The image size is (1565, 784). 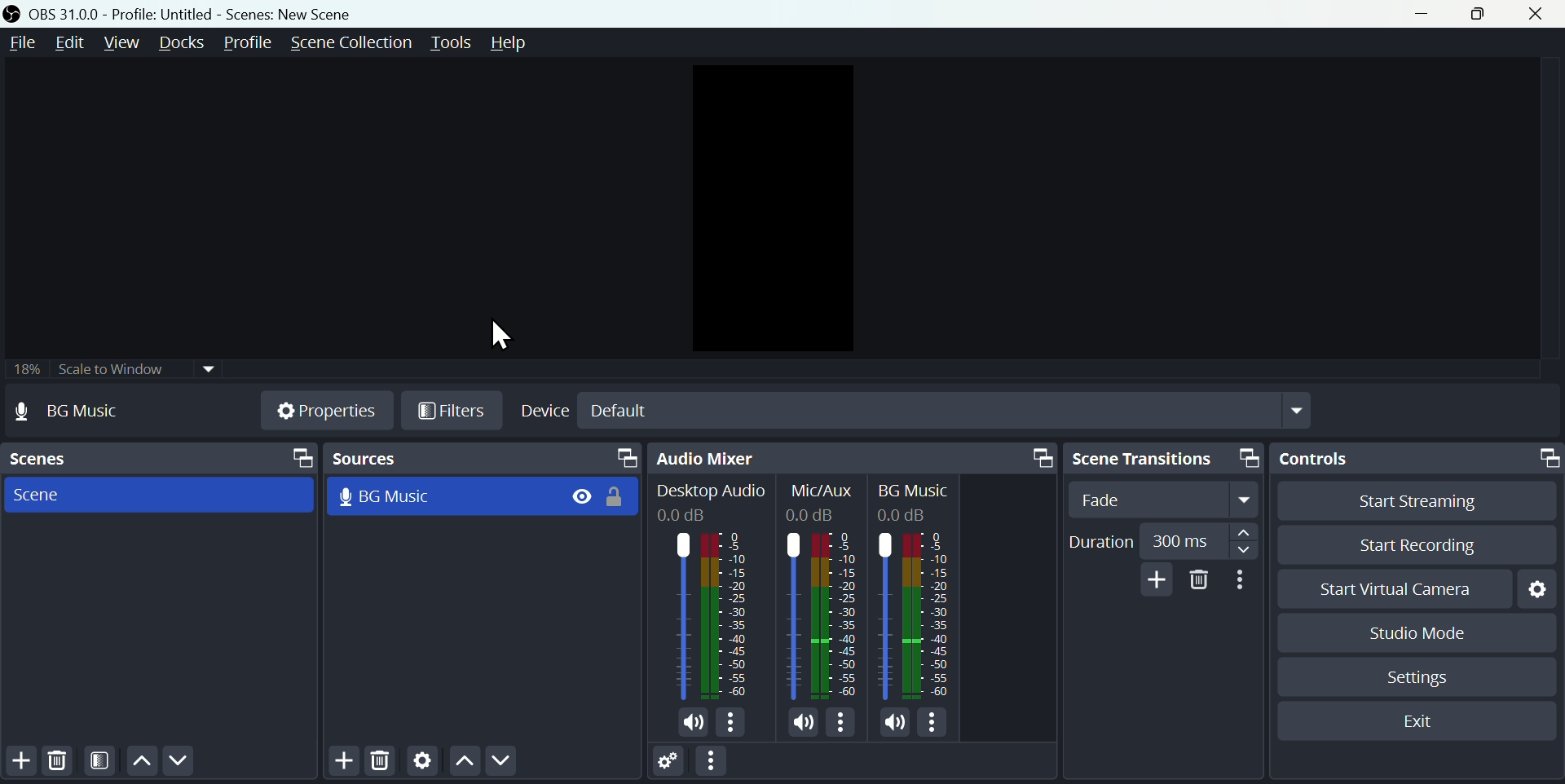 I want to click on minimise, so click(x=1422, y=17).